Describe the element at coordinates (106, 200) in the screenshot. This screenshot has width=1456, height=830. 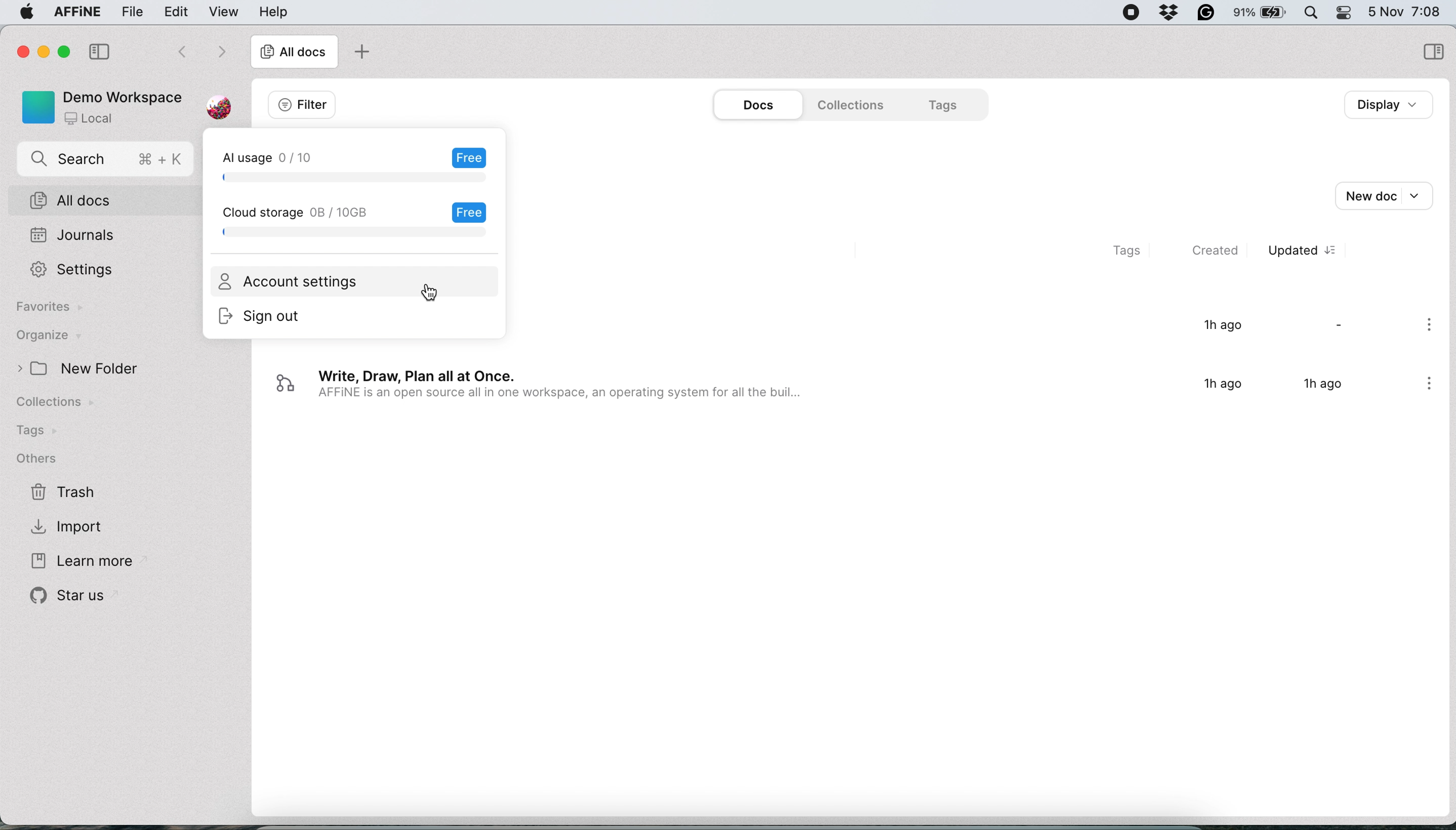
I see `all docs` at that location.